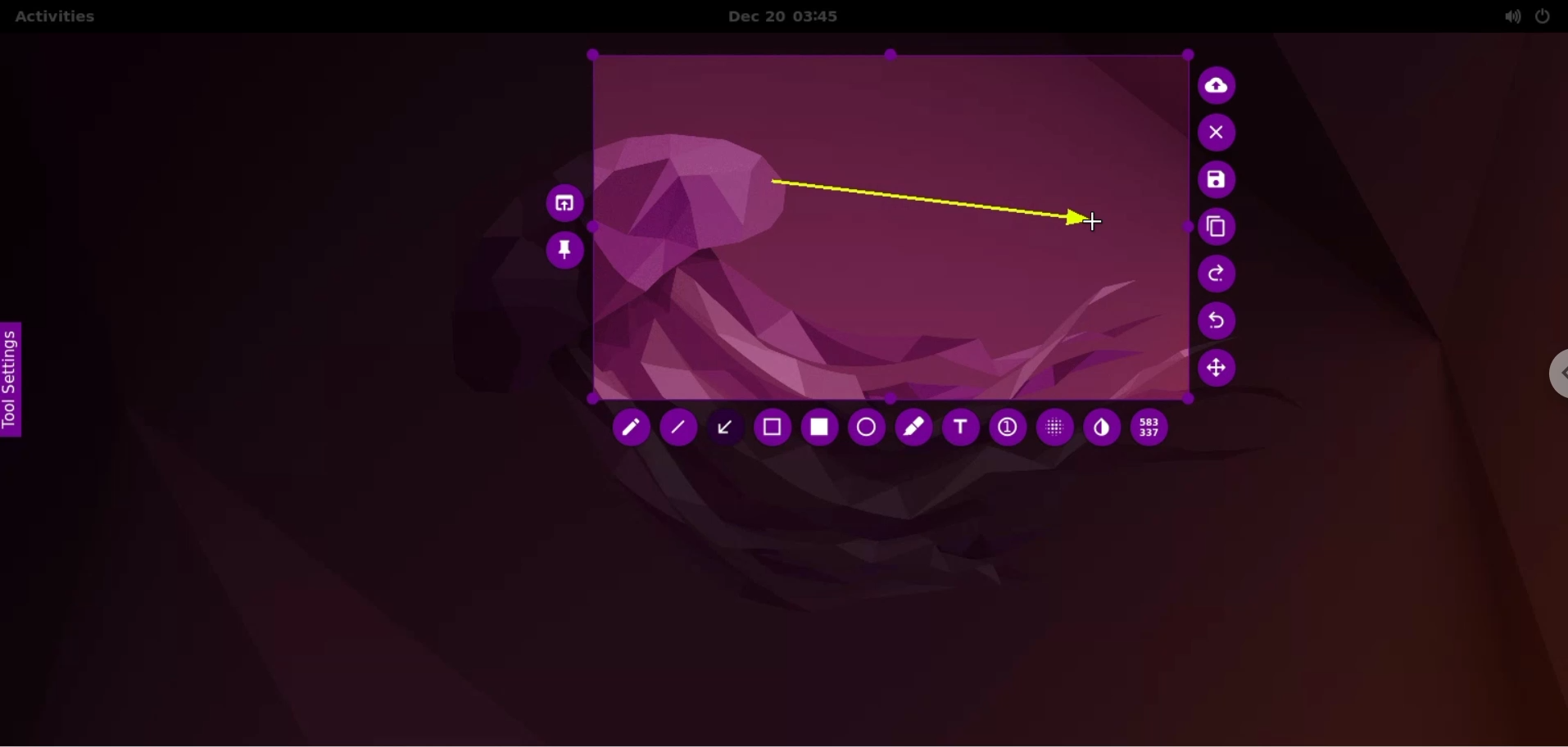 Image resolution: width=1568 pixels, height=747 pixels. Describe the element at coordinates (913, 427) in the screenshot. I see `marker` at that location.